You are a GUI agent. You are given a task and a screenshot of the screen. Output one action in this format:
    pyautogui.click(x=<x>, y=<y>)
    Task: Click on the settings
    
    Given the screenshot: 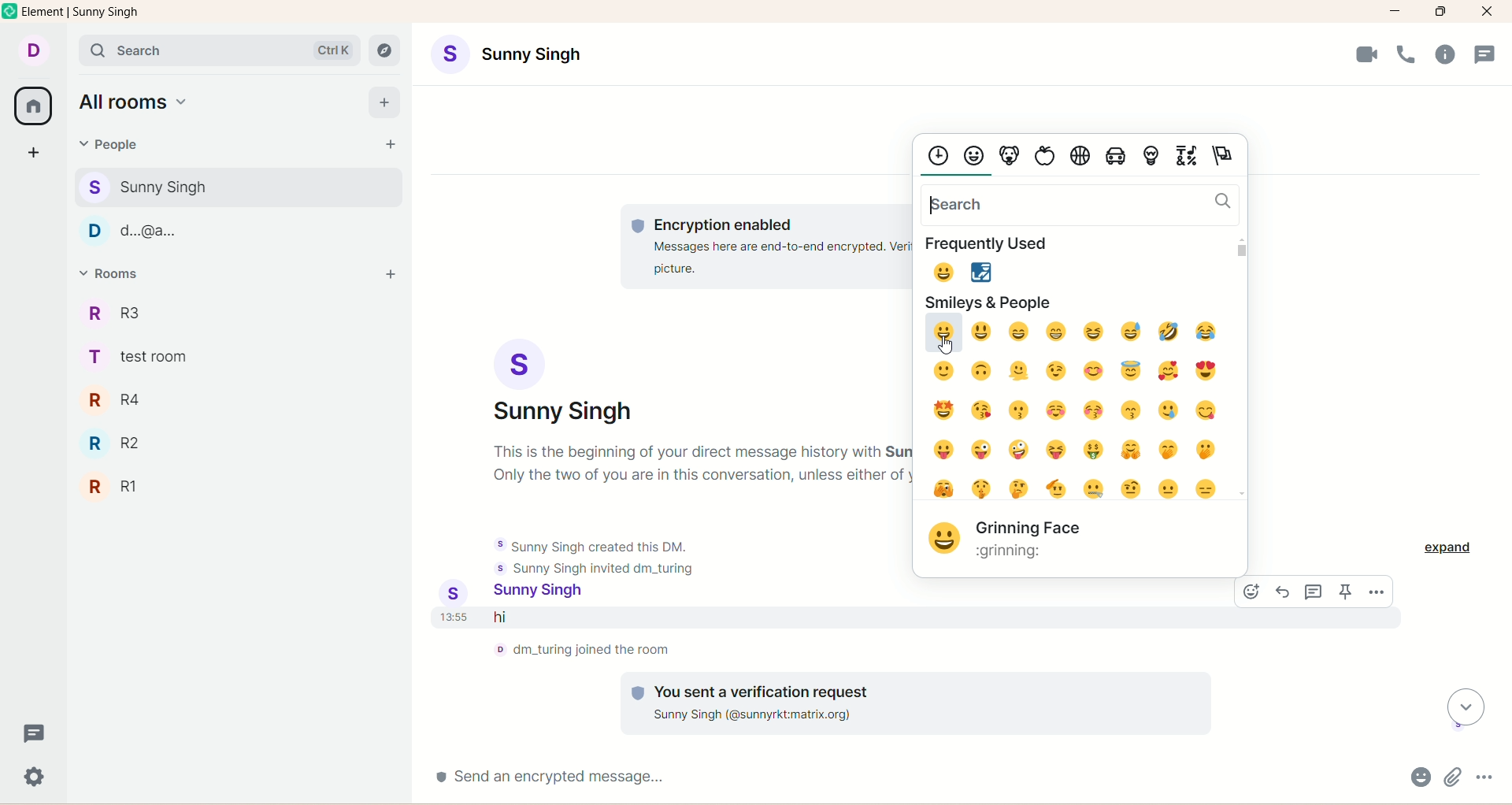 What is the action you would take?
    pyautogui.click(x=35, y=777)
    